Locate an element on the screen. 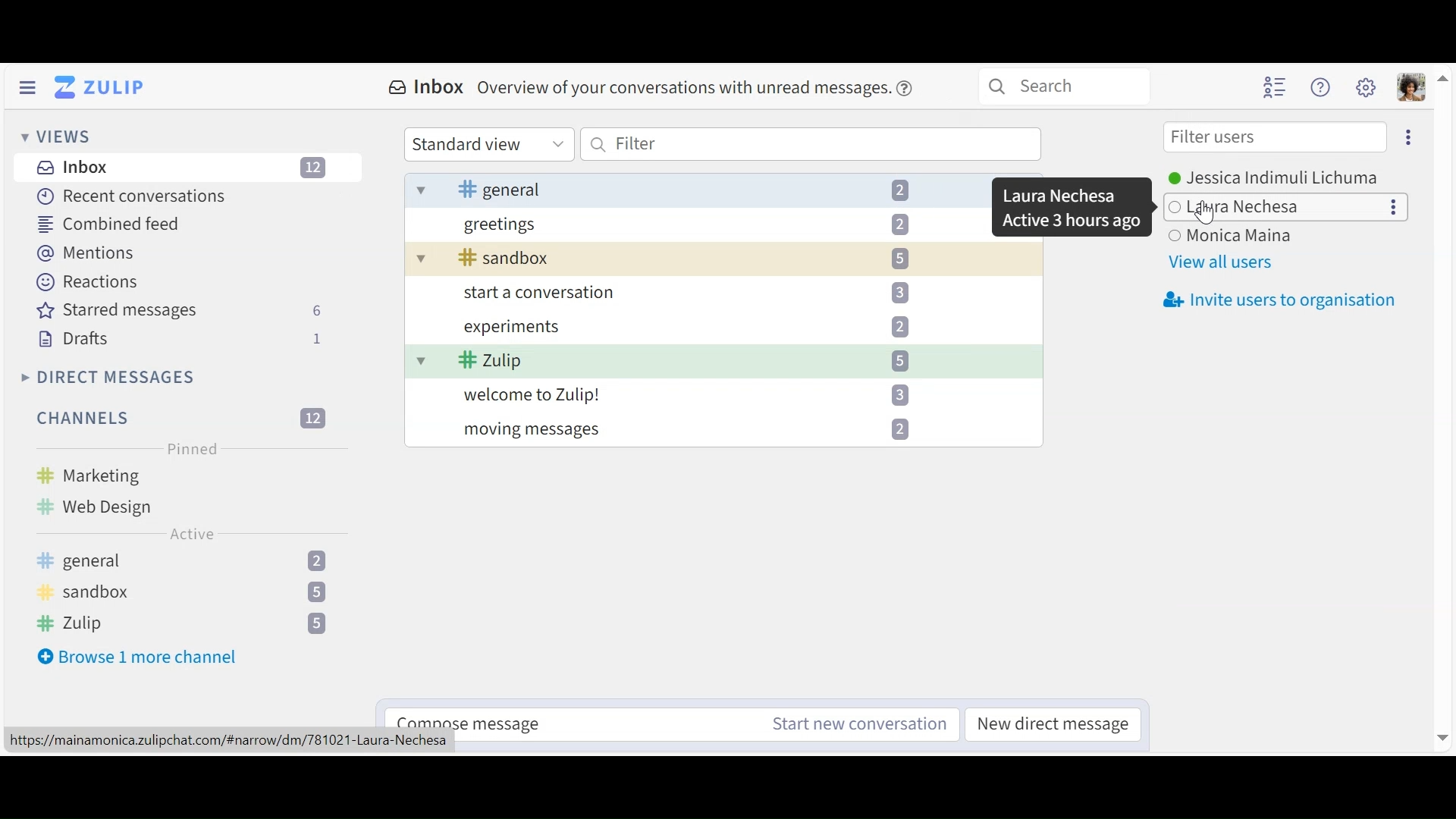  Reactions is located at coordinates (89, 281).